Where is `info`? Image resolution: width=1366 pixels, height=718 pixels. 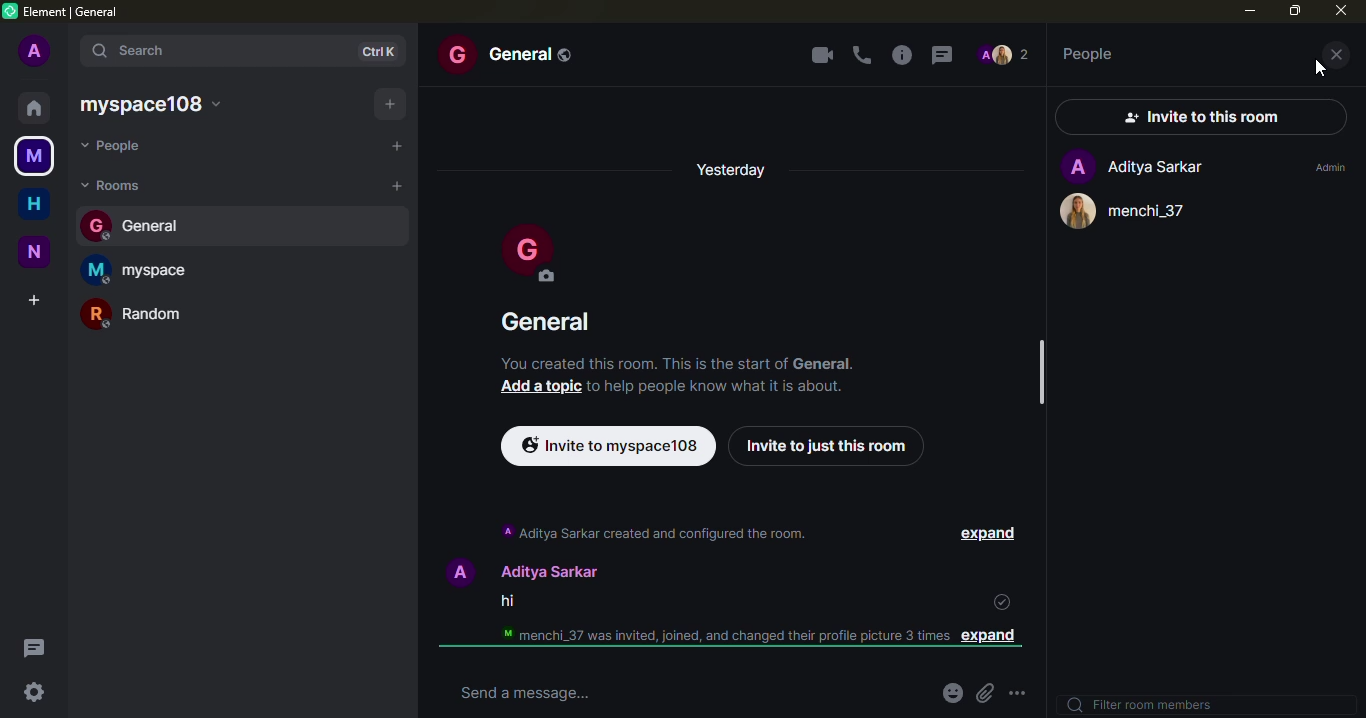
info is located at coordinates (898, 55).